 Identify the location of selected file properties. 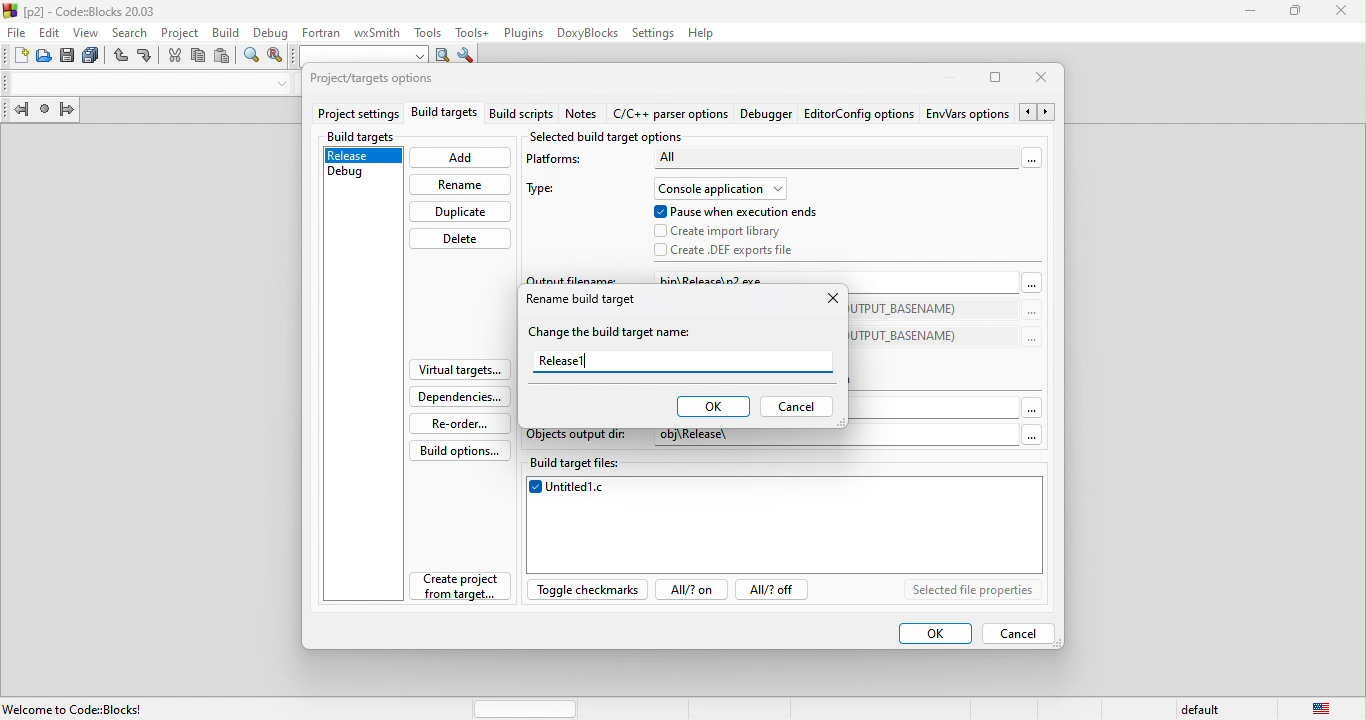
(973, 591).